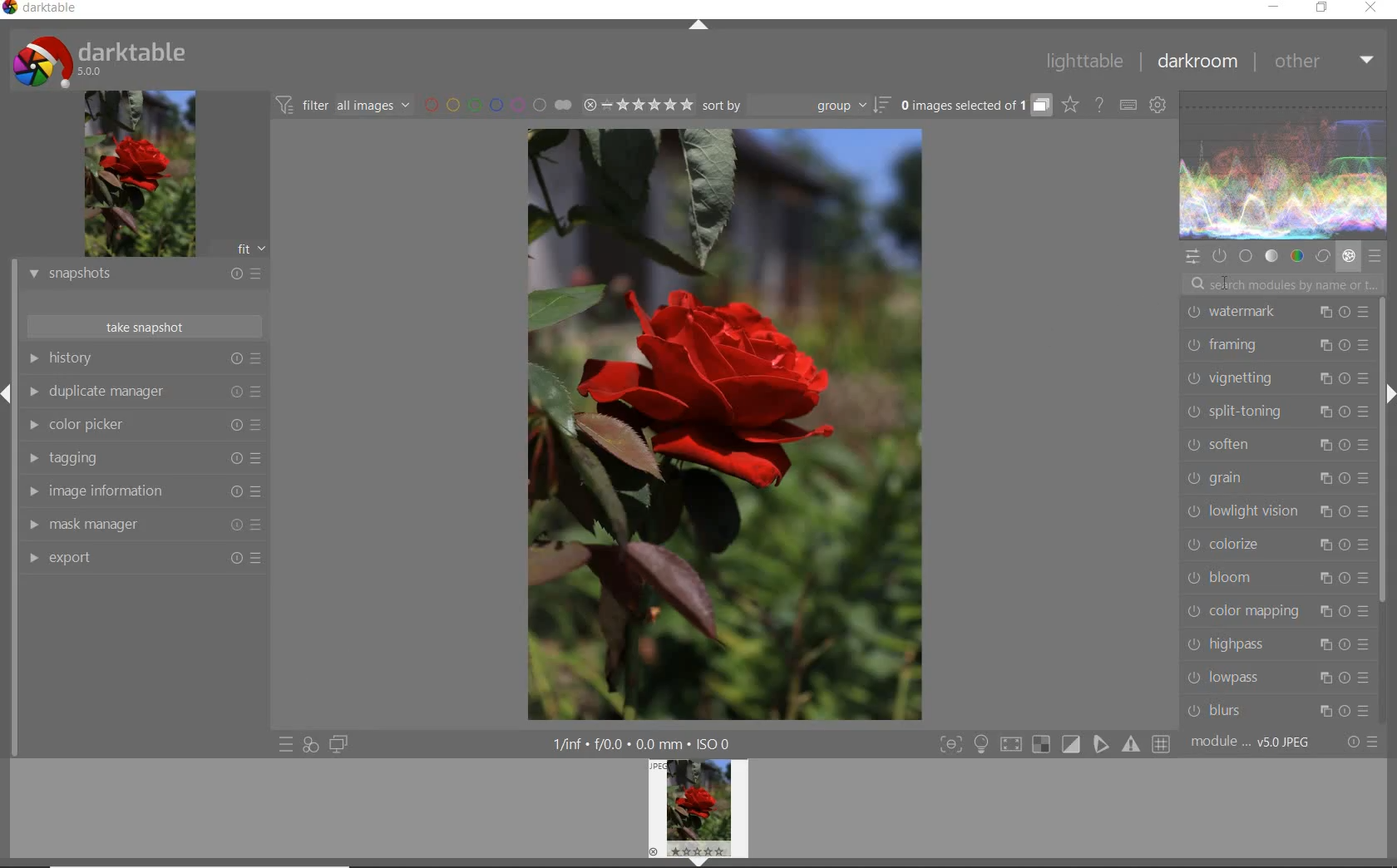 Image resolution: width=1397 pixels, height=868 pixels. What do you see at coordinates (1244, 255) in the screenshot?
I see `base` at bounding box center [1244, 255].